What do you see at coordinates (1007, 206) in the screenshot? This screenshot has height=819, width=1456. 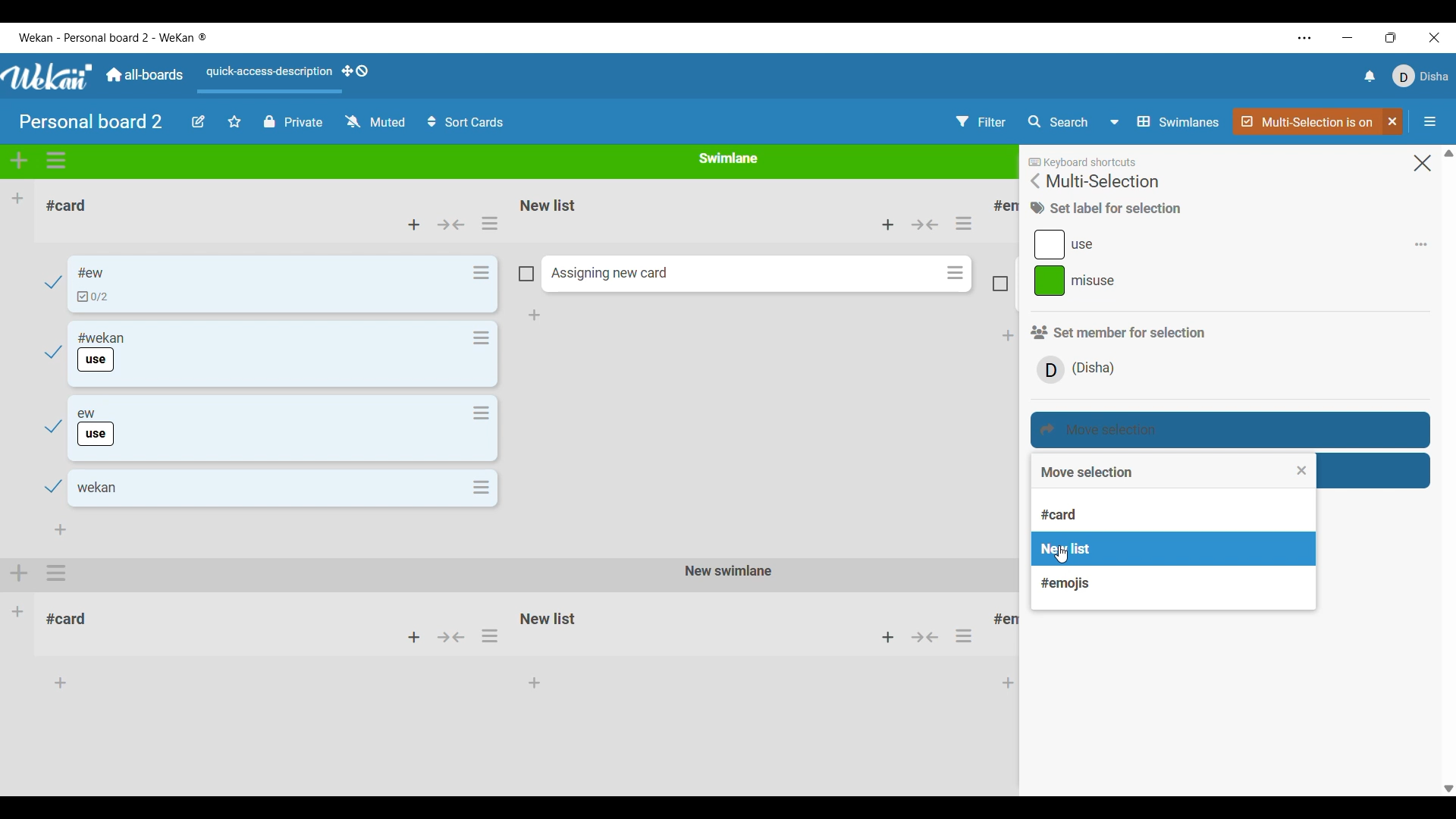 I see `List title` at bounding box center [1007, 206].